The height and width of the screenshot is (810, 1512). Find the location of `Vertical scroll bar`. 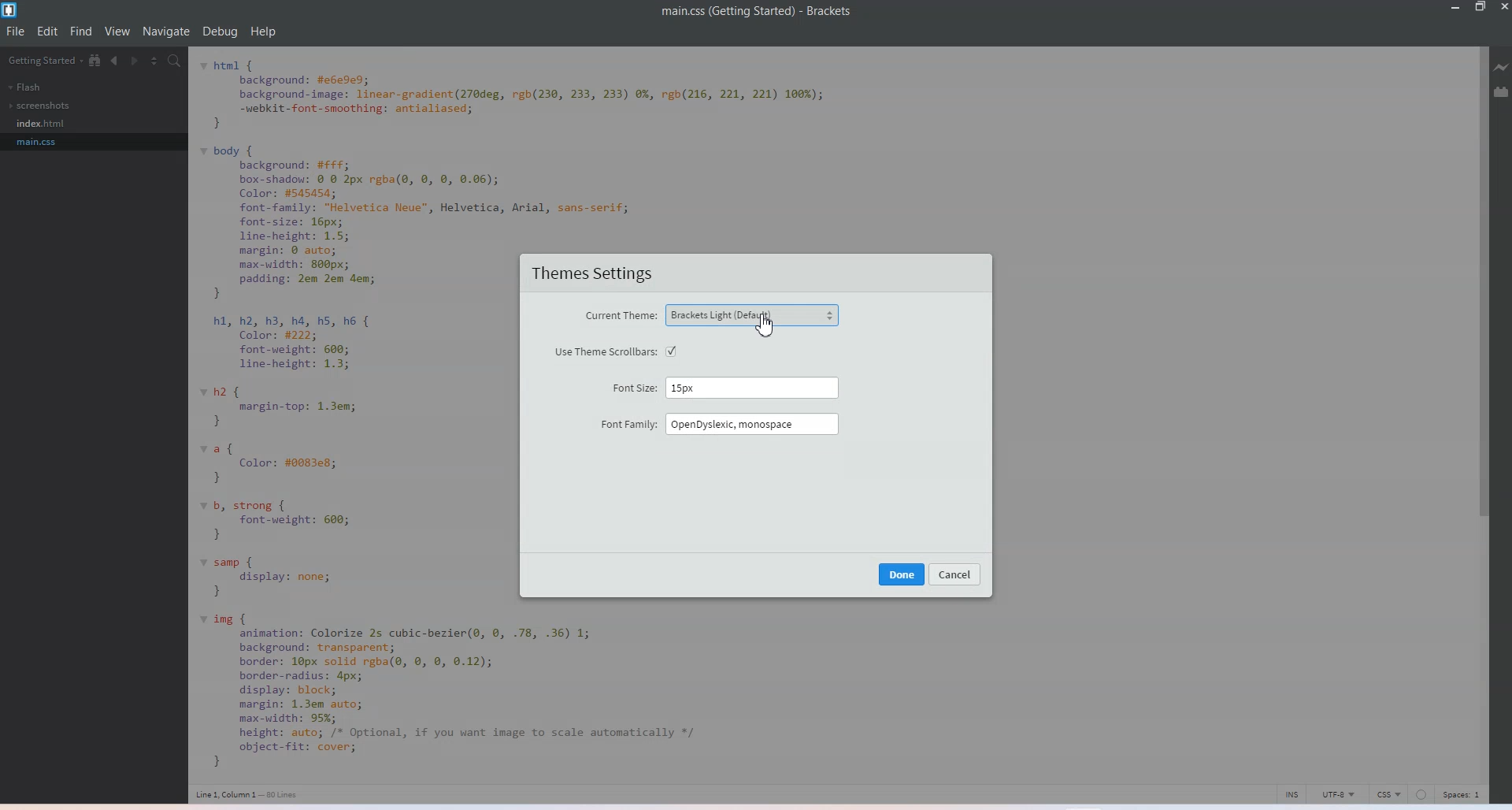

Vertical scroll bar is located at coordinates (1480, 412).